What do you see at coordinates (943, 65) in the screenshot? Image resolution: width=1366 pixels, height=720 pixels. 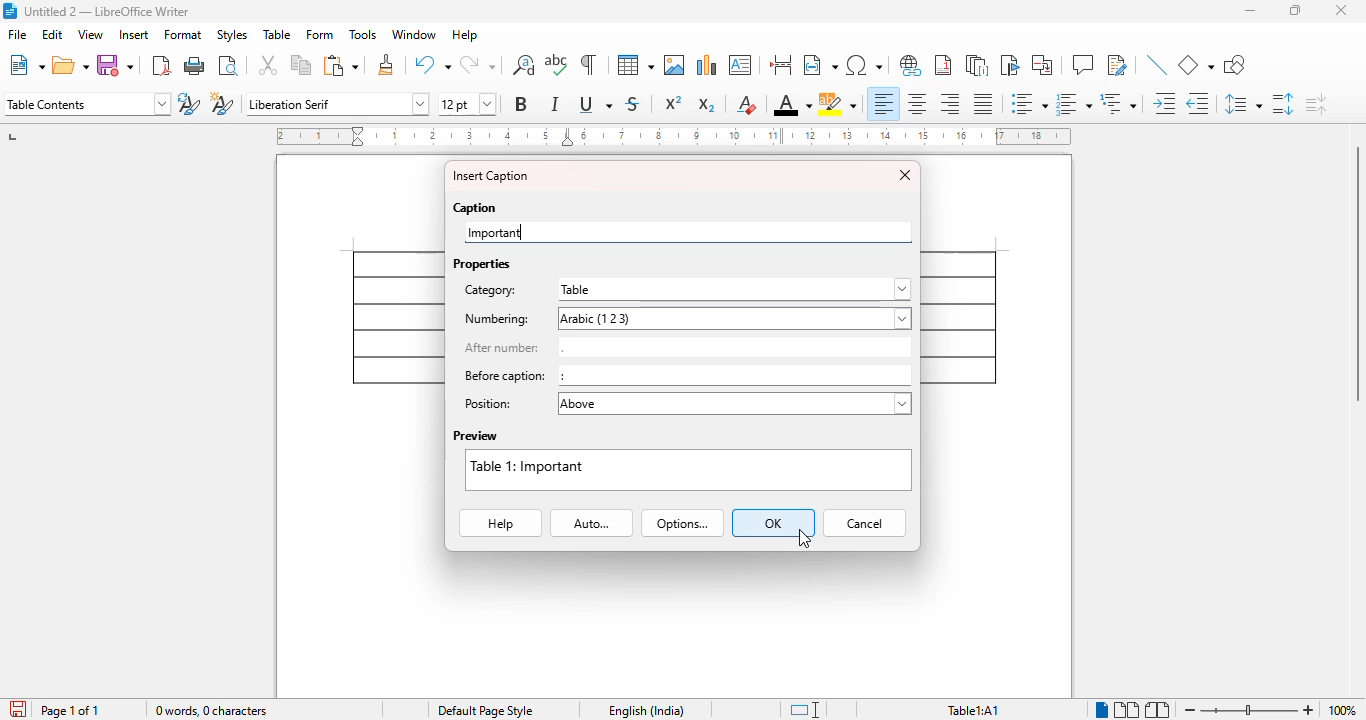 I see `insert footnote` at bounding box center [943, 65].